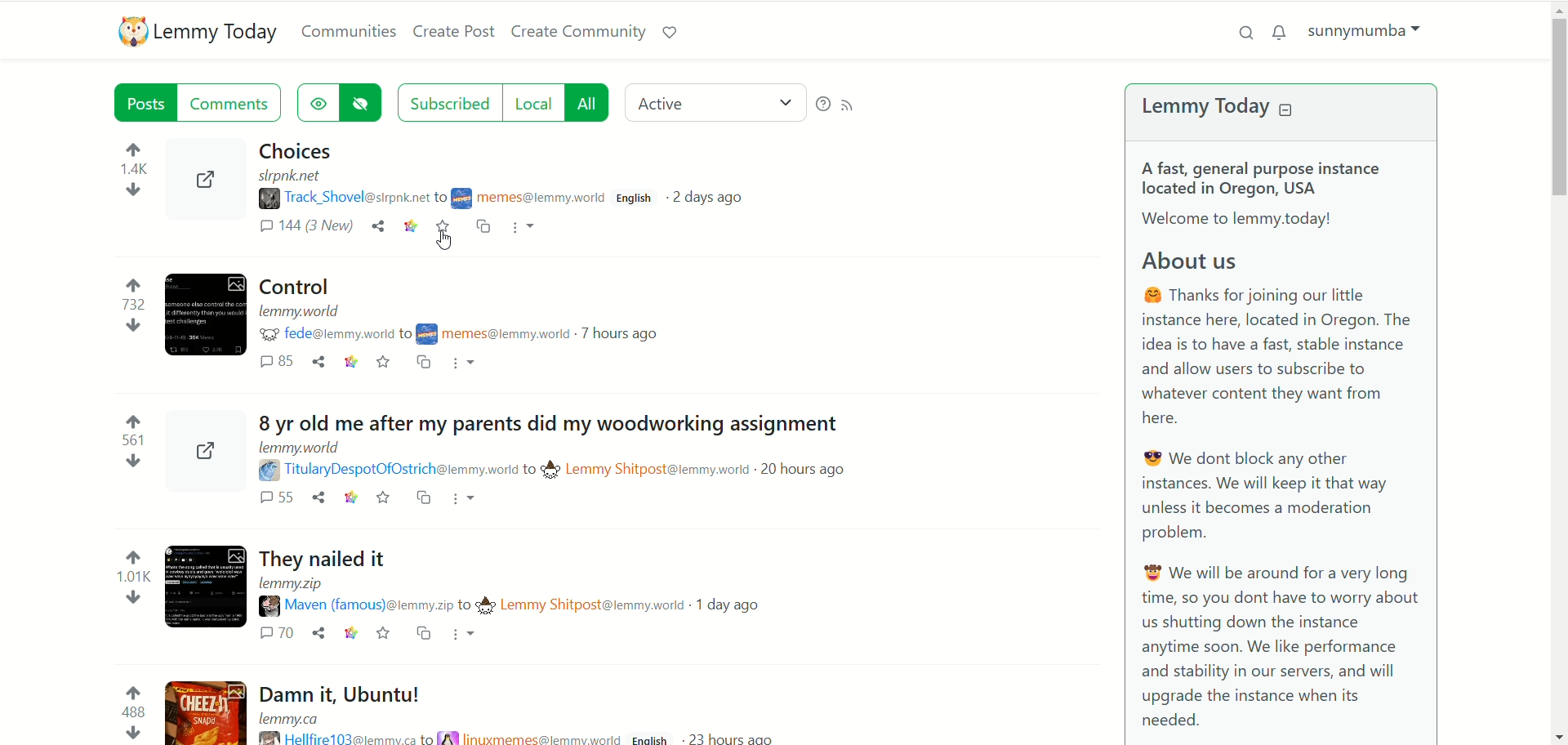  Describe the element at coordinates (234, 105) in the screenshot. I see `comments` at that location.